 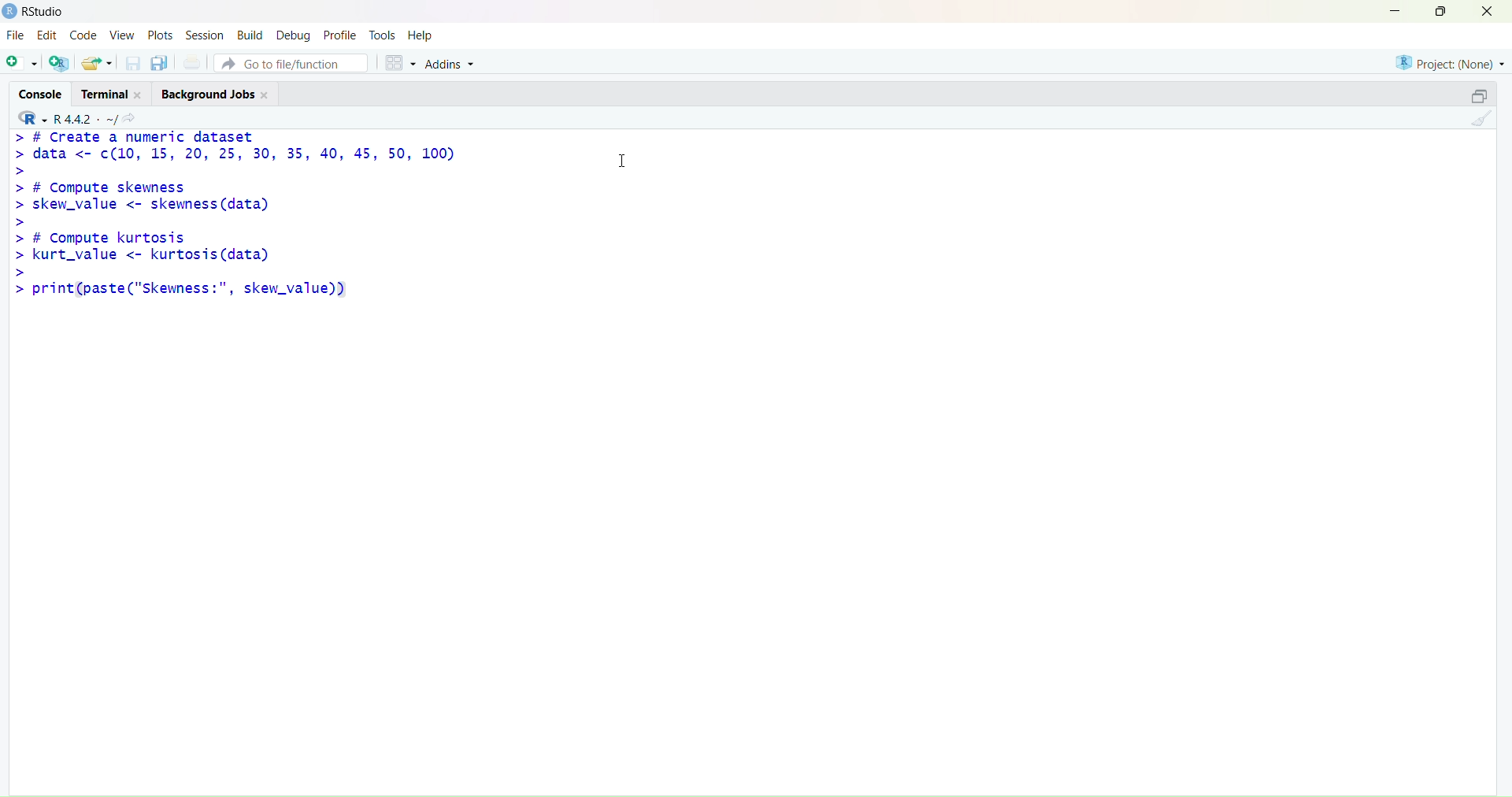 What do you see at coordinates (132, 65) in the screenshot?
I see `Save current document (Ctrl + S)` at bounding box center [132, 65].